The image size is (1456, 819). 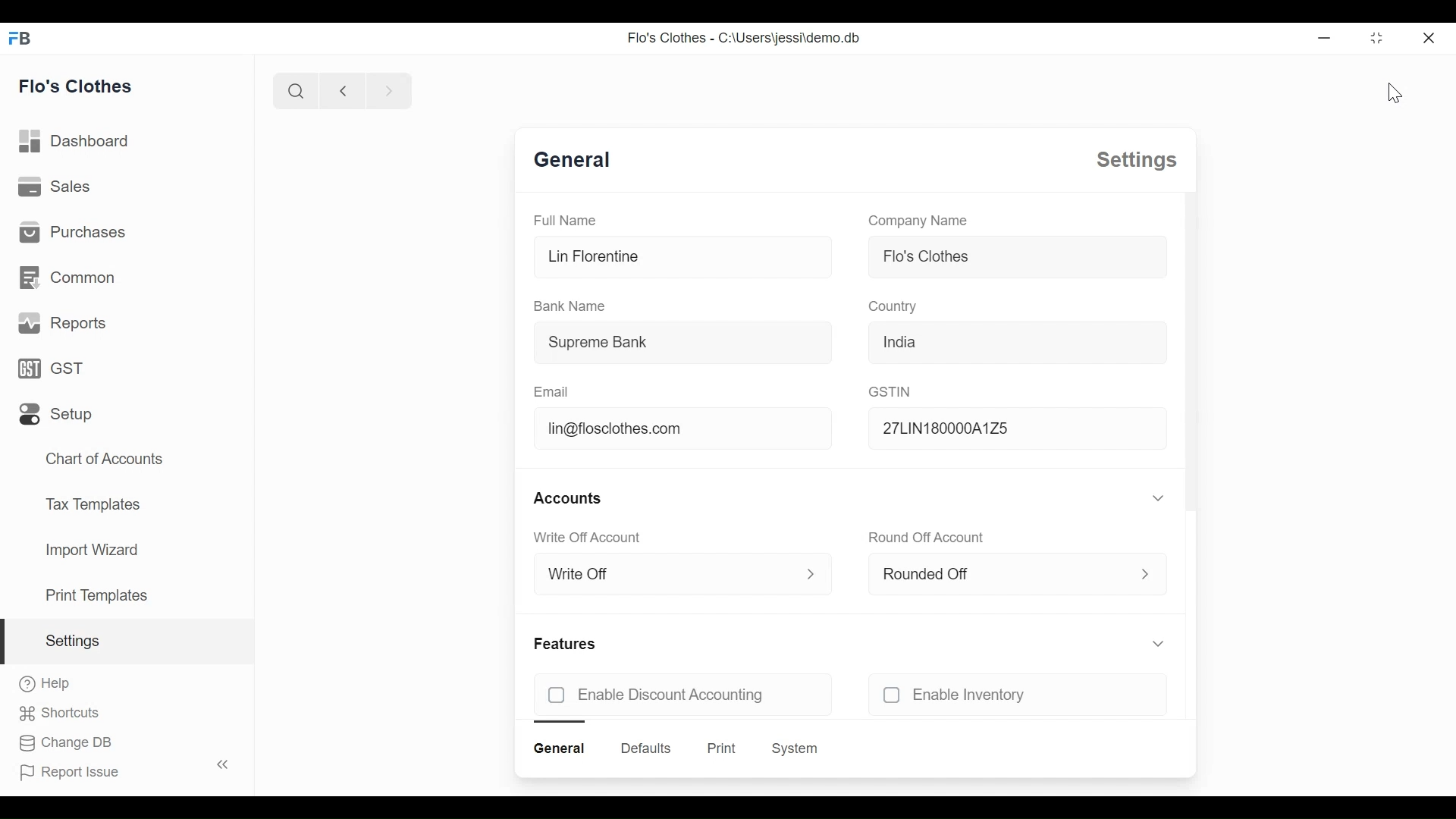 What do you see at coordinates (70, 773) in the screenshot?
I see `report issue` at bounding box center [70, 773].